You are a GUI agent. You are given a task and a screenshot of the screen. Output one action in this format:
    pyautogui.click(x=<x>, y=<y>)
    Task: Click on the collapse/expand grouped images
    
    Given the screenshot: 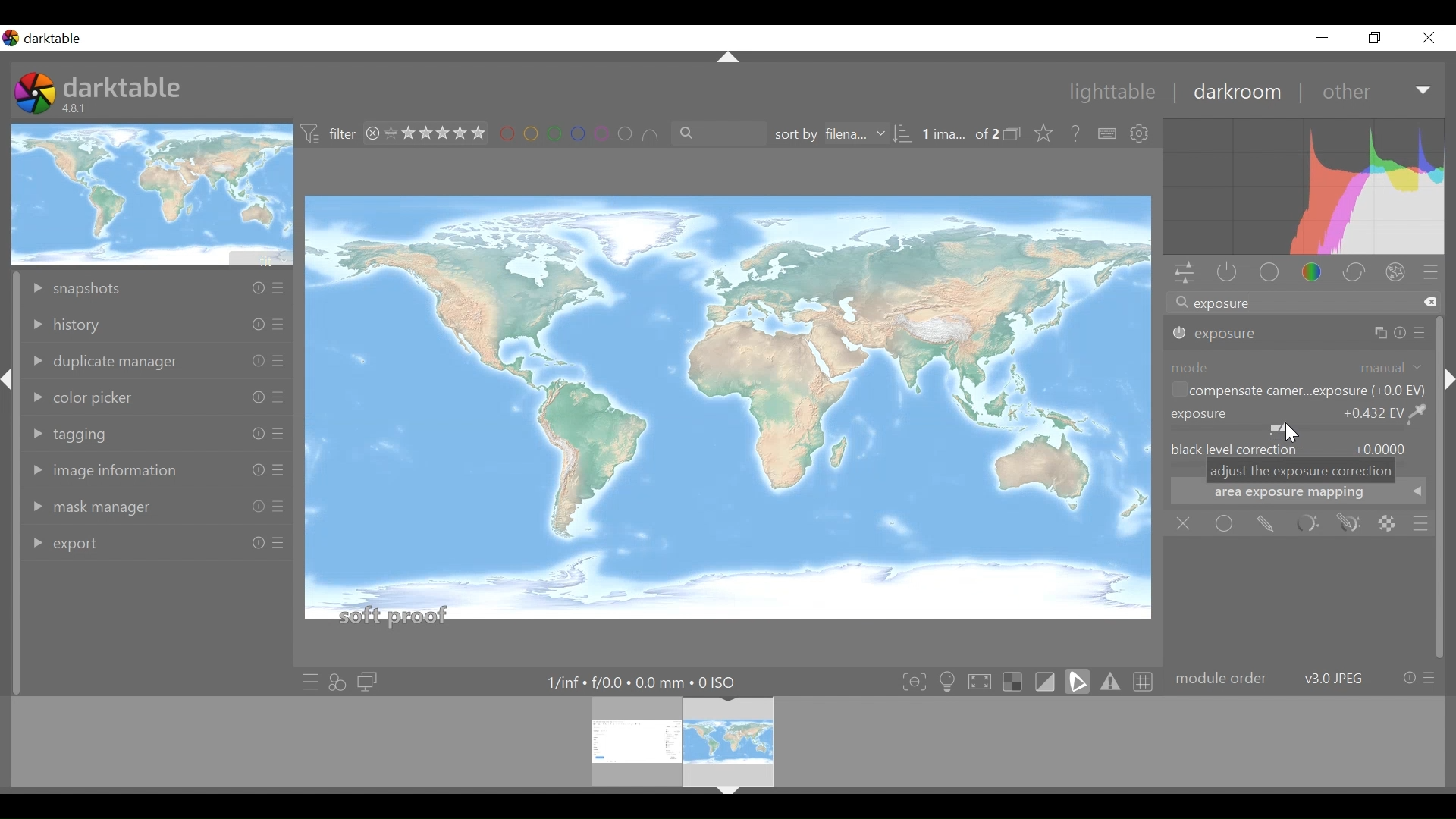 What is the action you would take?
    pyautogui.click(x=1016, y=135)
    